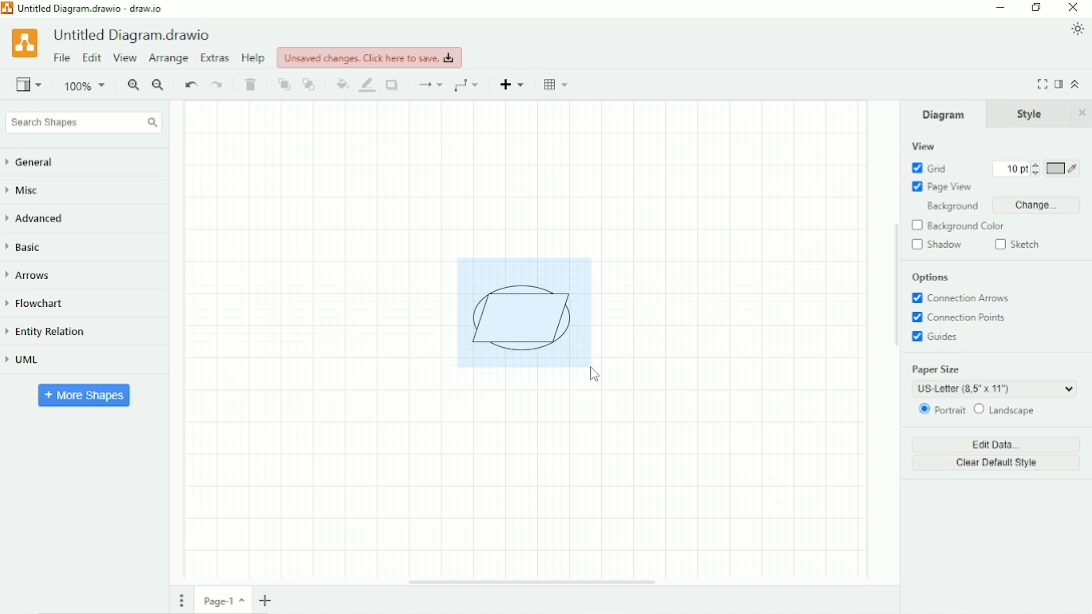 Image resolution: width=1092 pixels, height=614 pixels. I want to click on To back, so click(310, 84).